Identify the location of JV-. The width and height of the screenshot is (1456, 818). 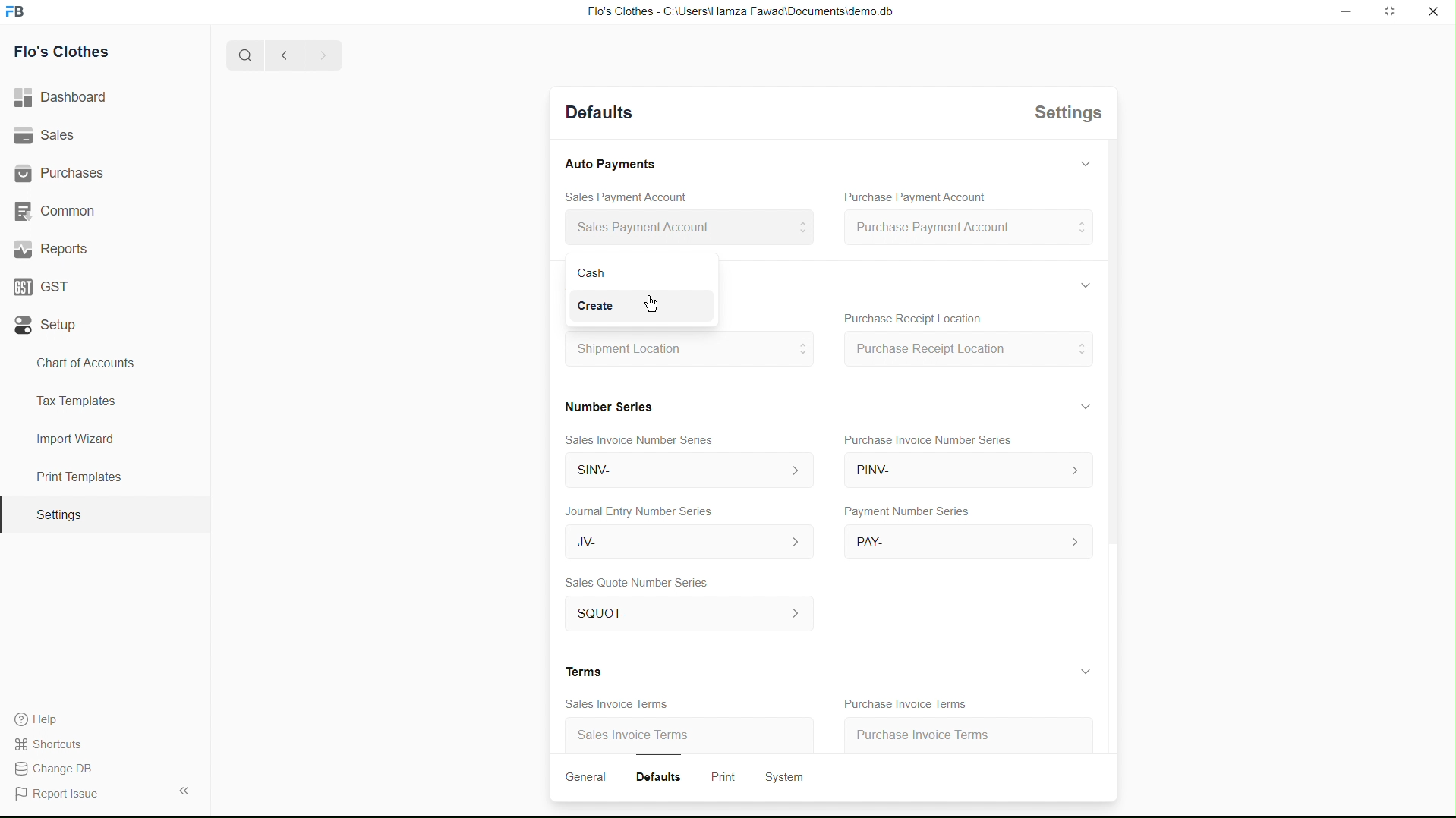
(681, 541).